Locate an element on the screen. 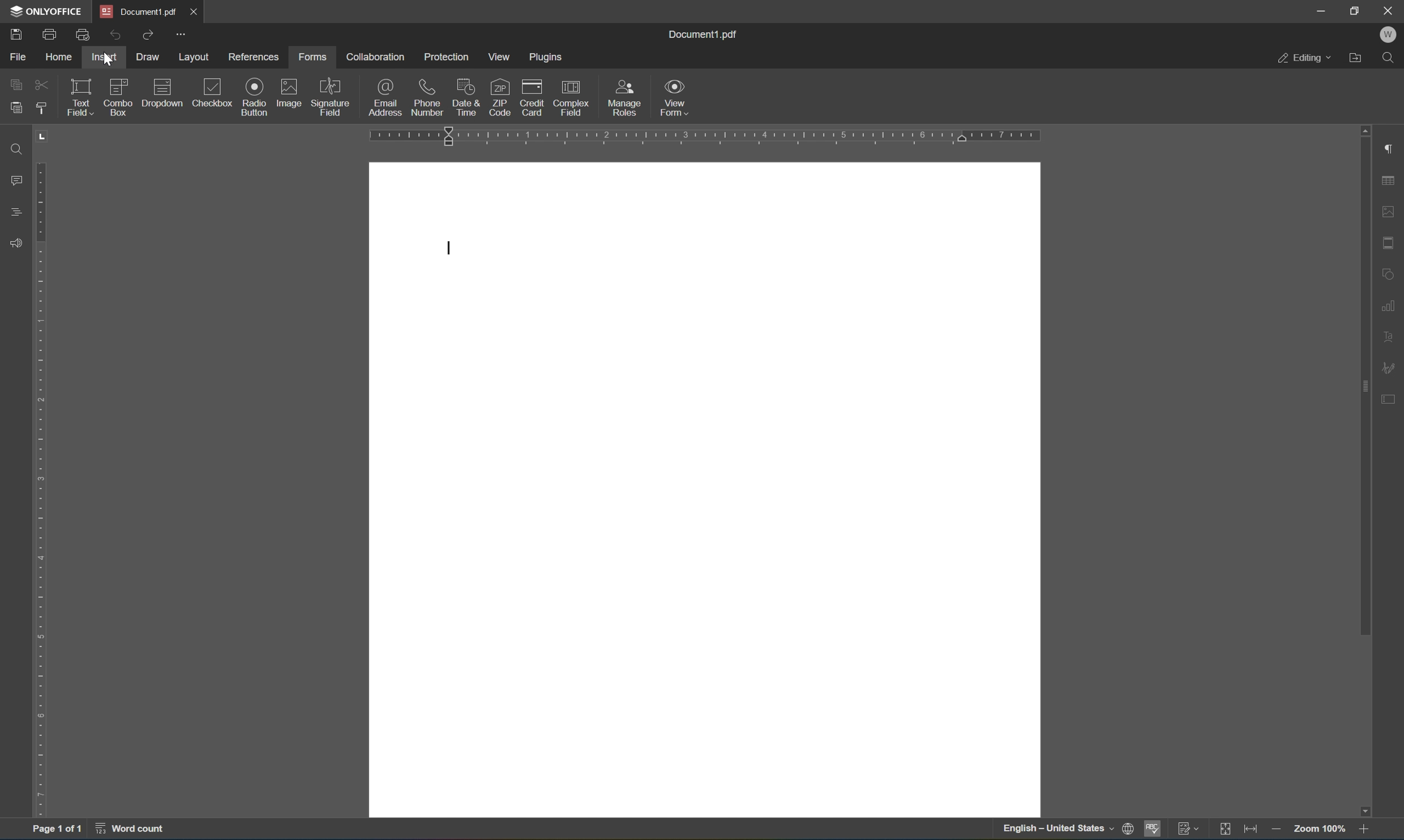 The height and width of the screenshot is (840, 1404). paste is located at coordinates (13, 109).